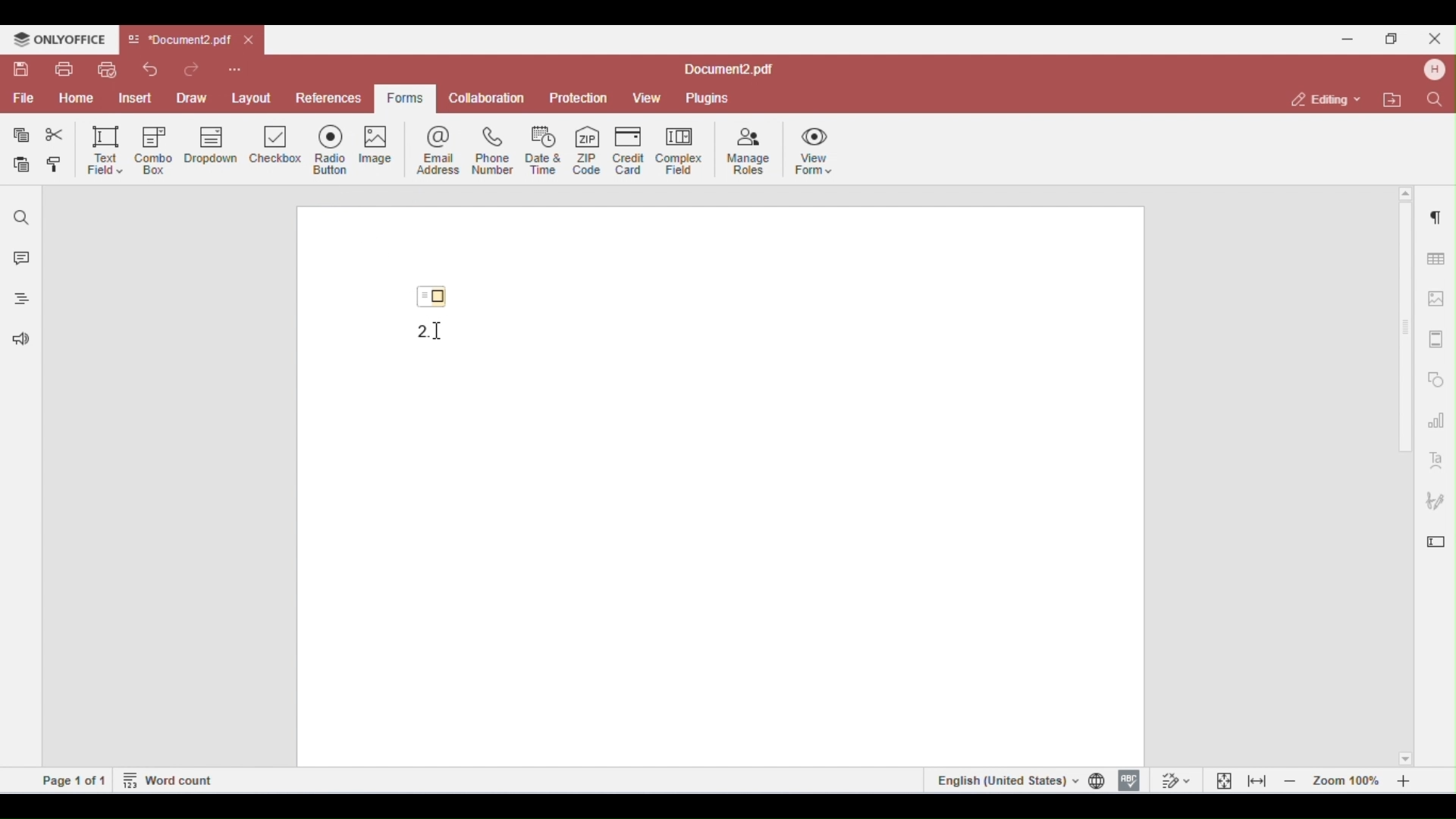  I want to click on file, so click(22, 99).